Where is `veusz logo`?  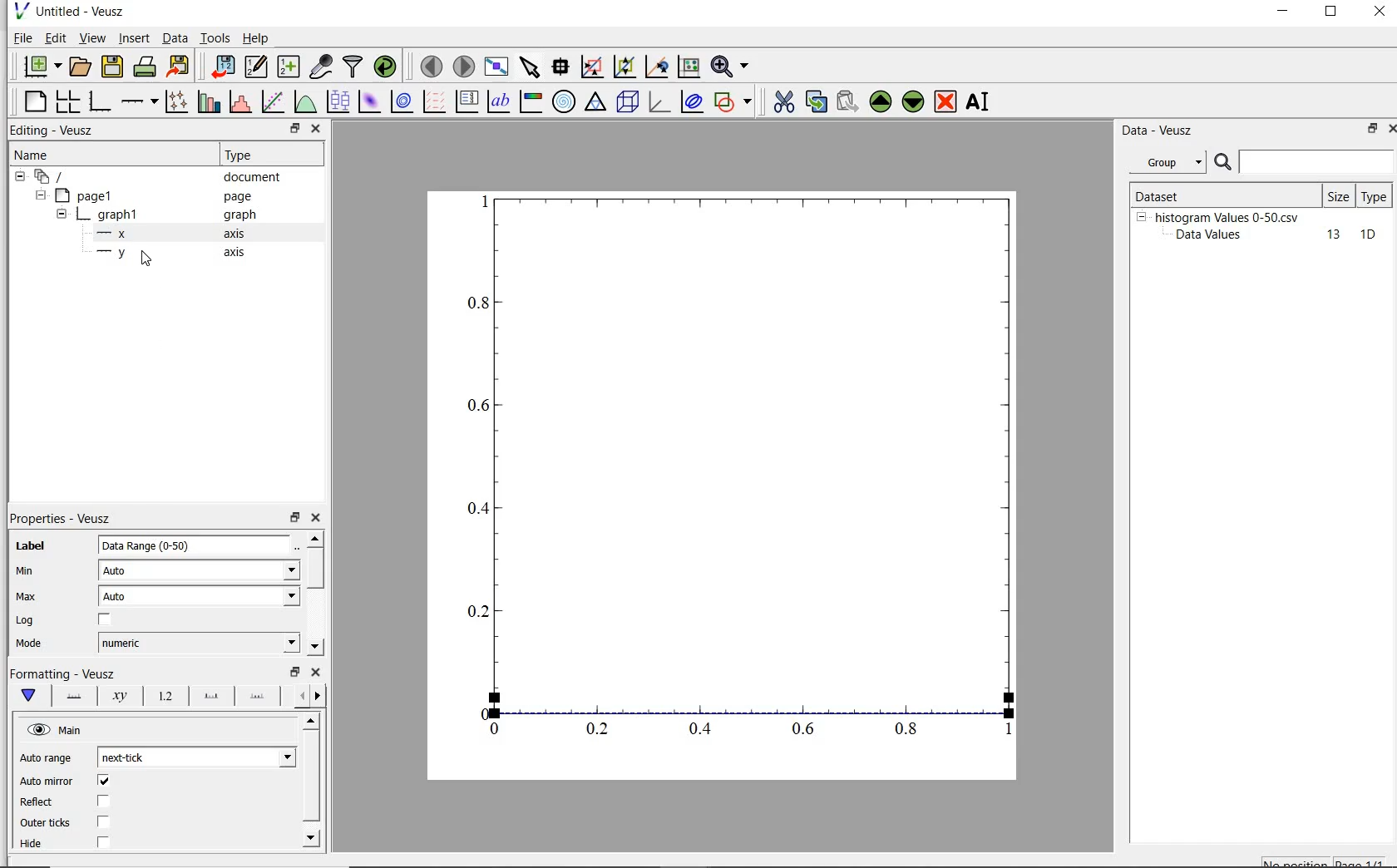 veusz logo is located at coordinates (20, 11).